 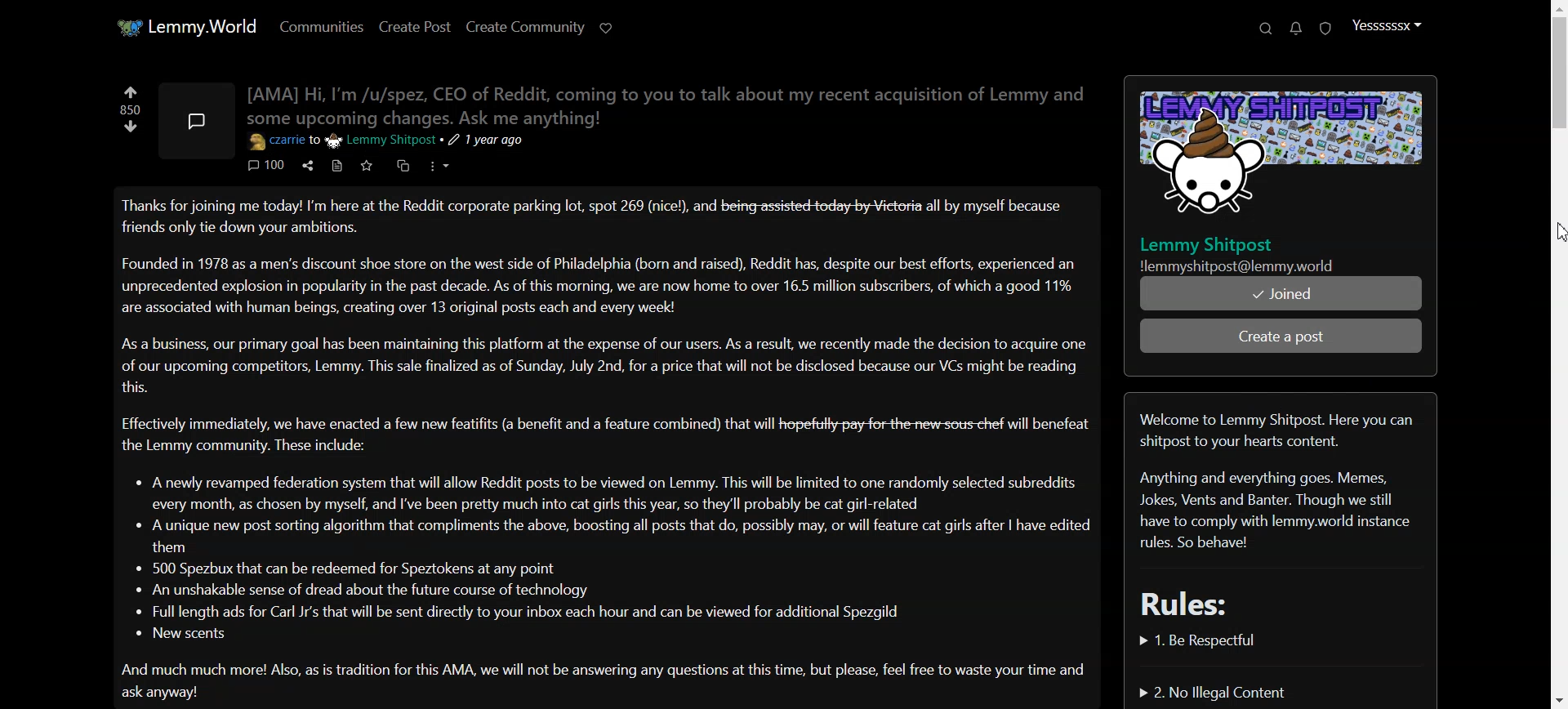 I want to click on Unread report, so click(x=1326, y=29).